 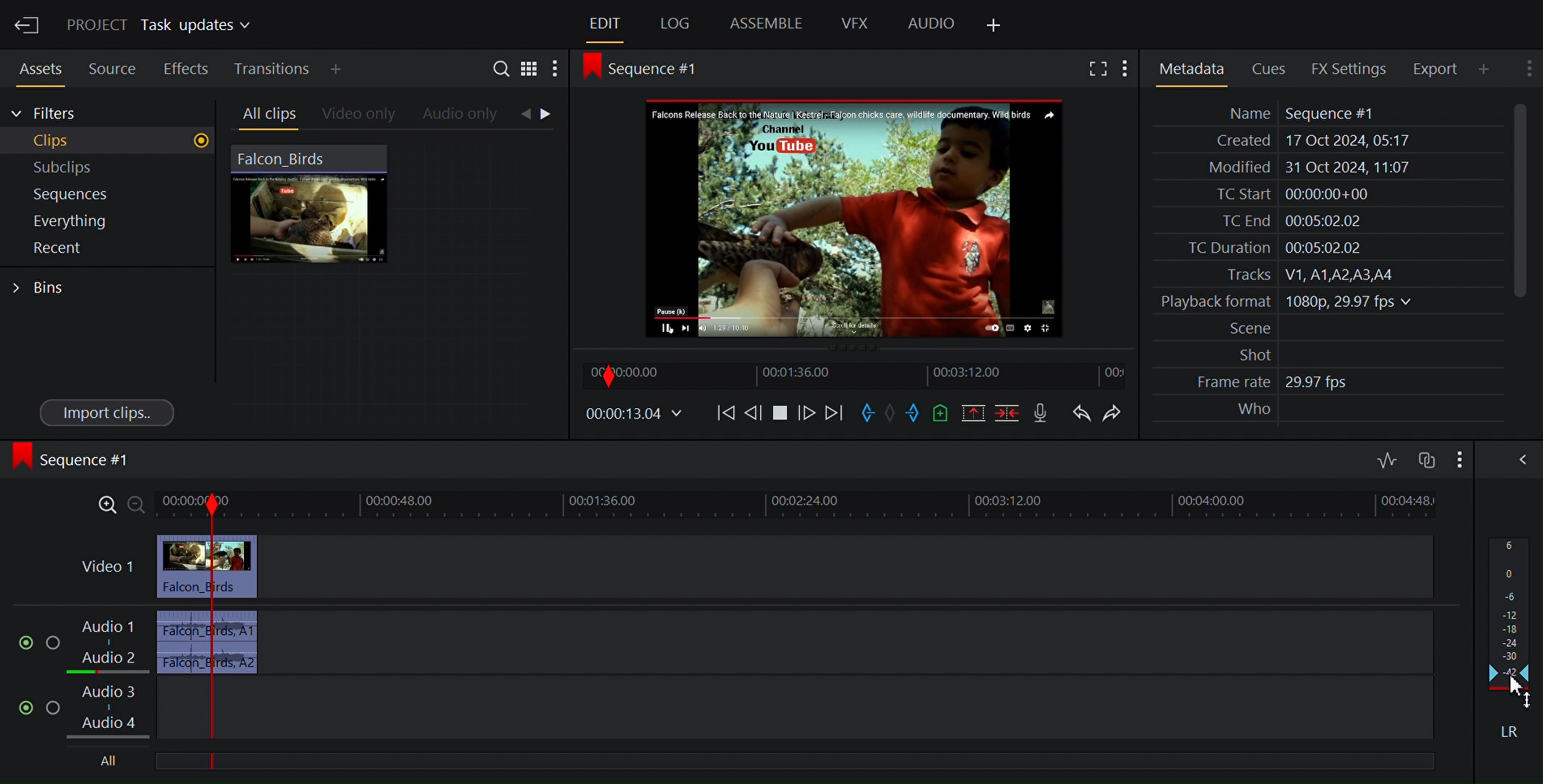 I want to click on Shot, so click(x=1245, y=355).